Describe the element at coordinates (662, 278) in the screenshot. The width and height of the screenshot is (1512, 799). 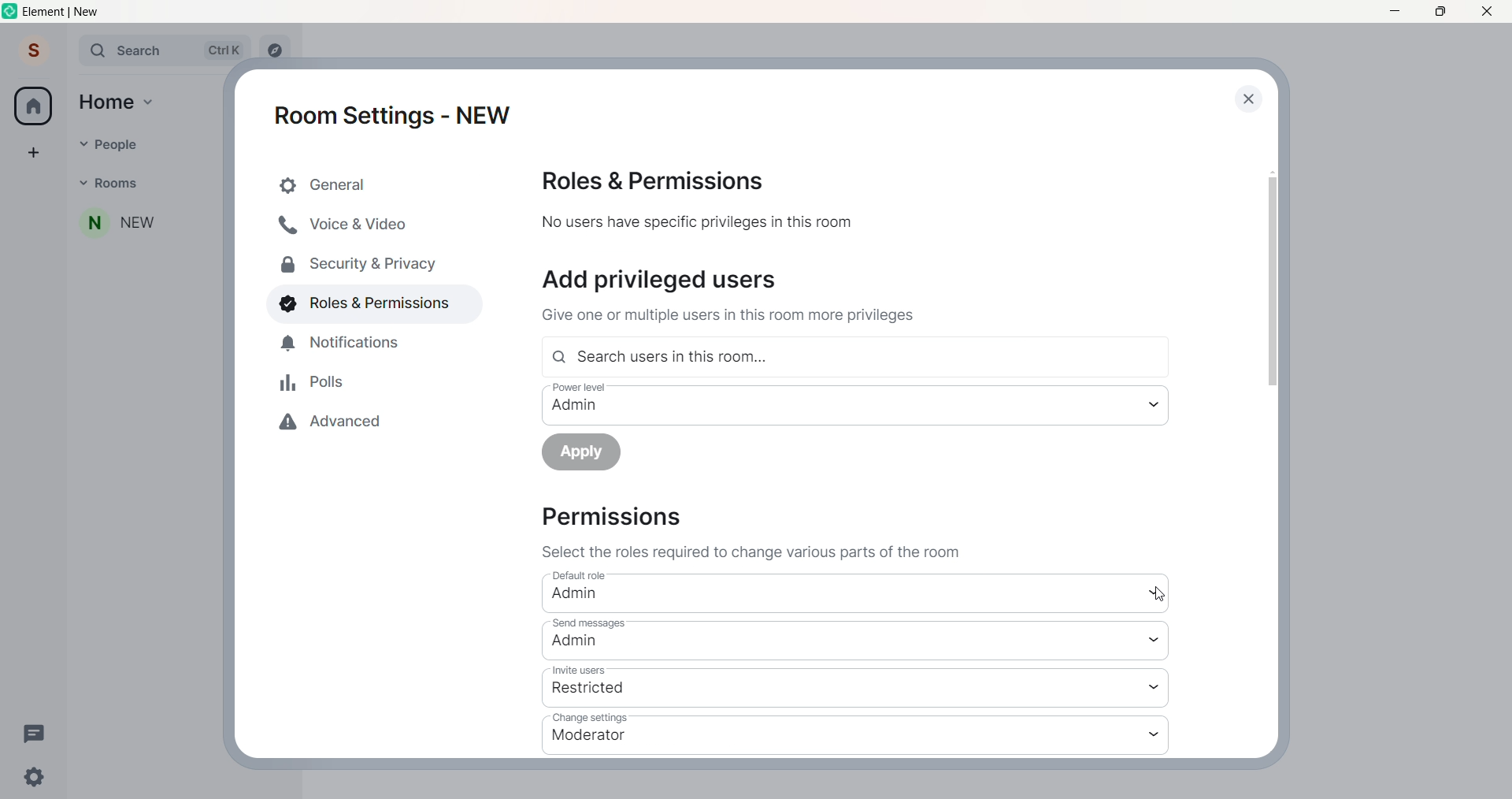
I see `add users` at that location.